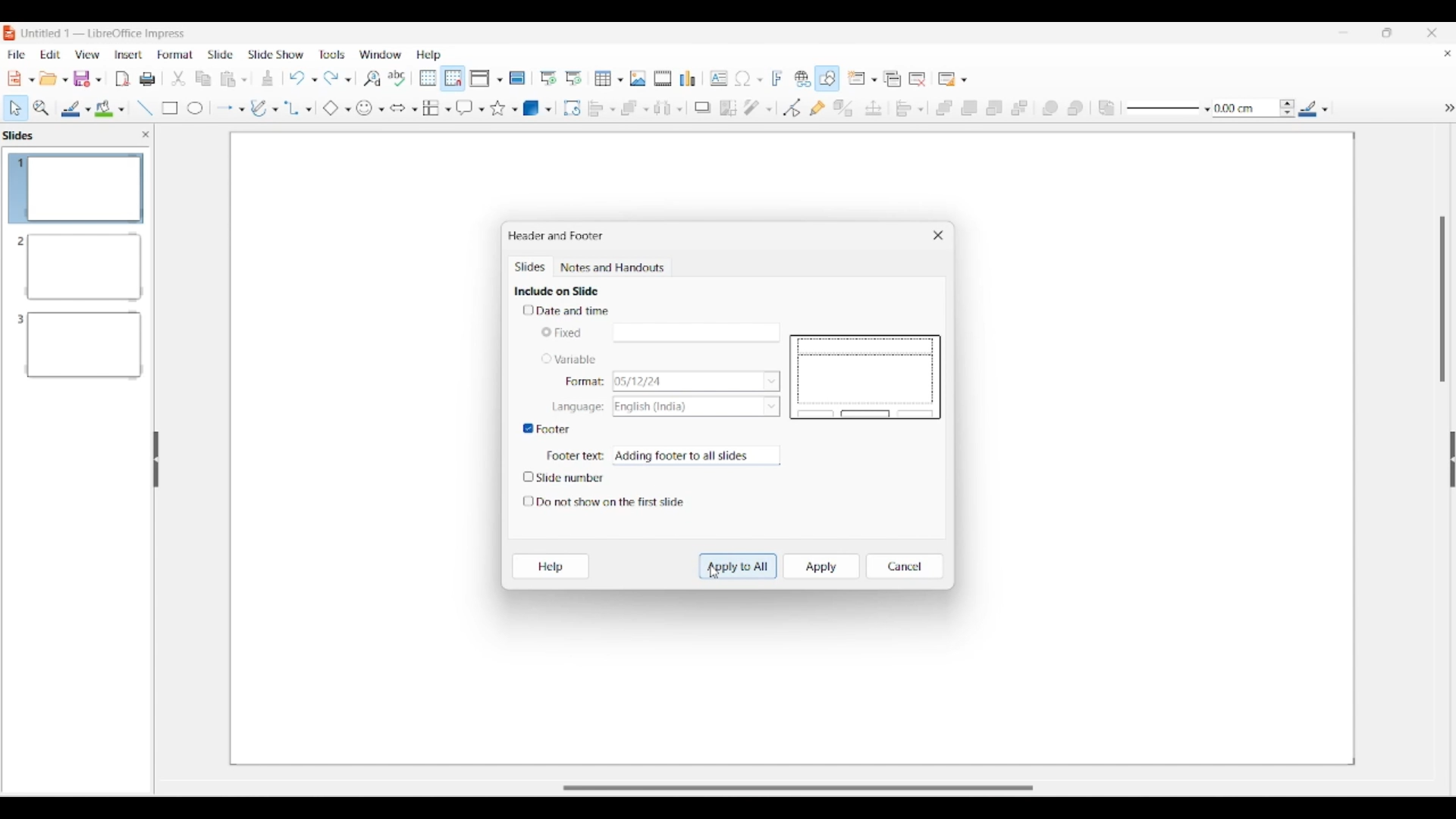 Image resolution: width=1456 pixels, height=819 pixels. Describe the element at coordinates (602, 109) in the screenshot. I see `Align object options` at that location.